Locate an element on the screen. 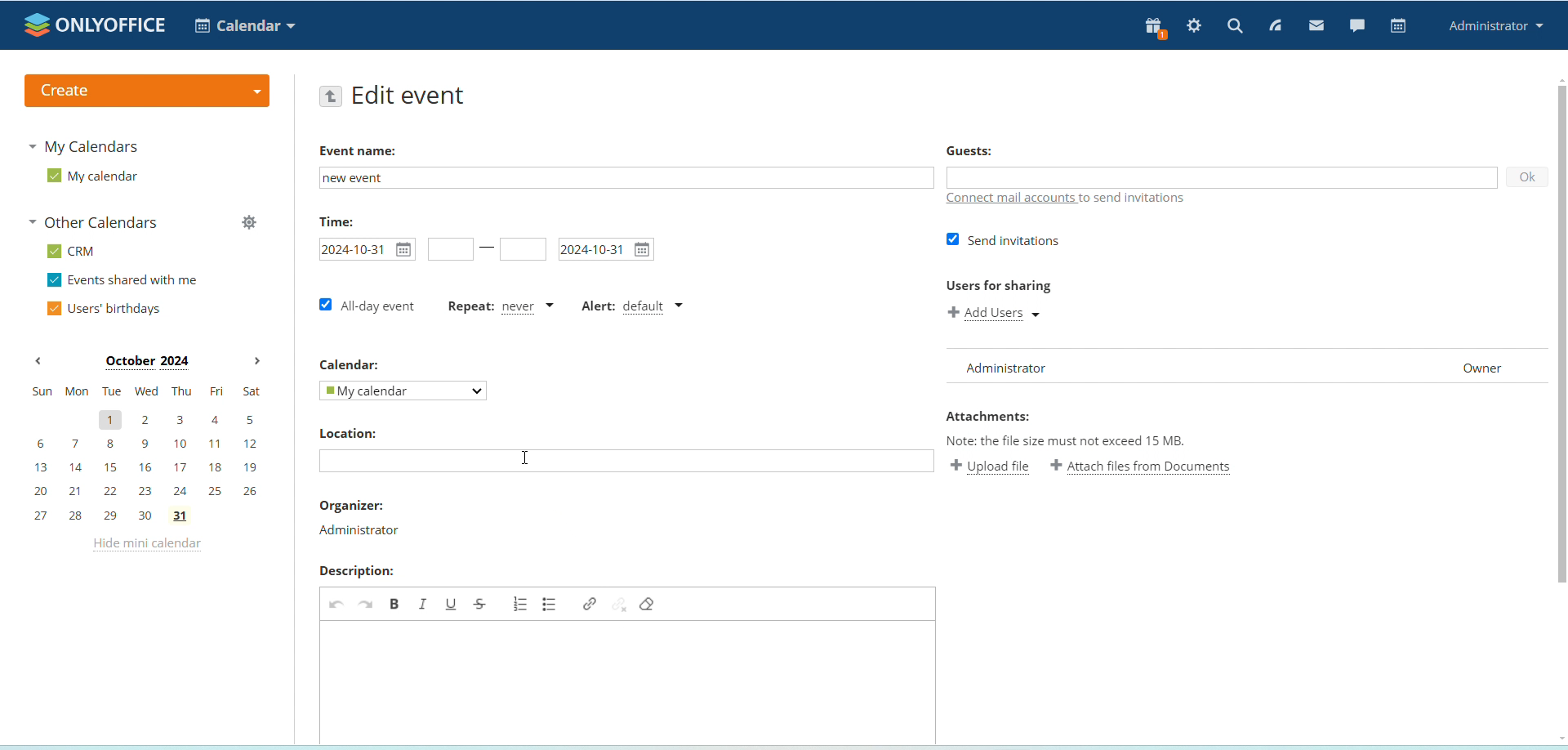  search is located at coordinates (1235, 25).